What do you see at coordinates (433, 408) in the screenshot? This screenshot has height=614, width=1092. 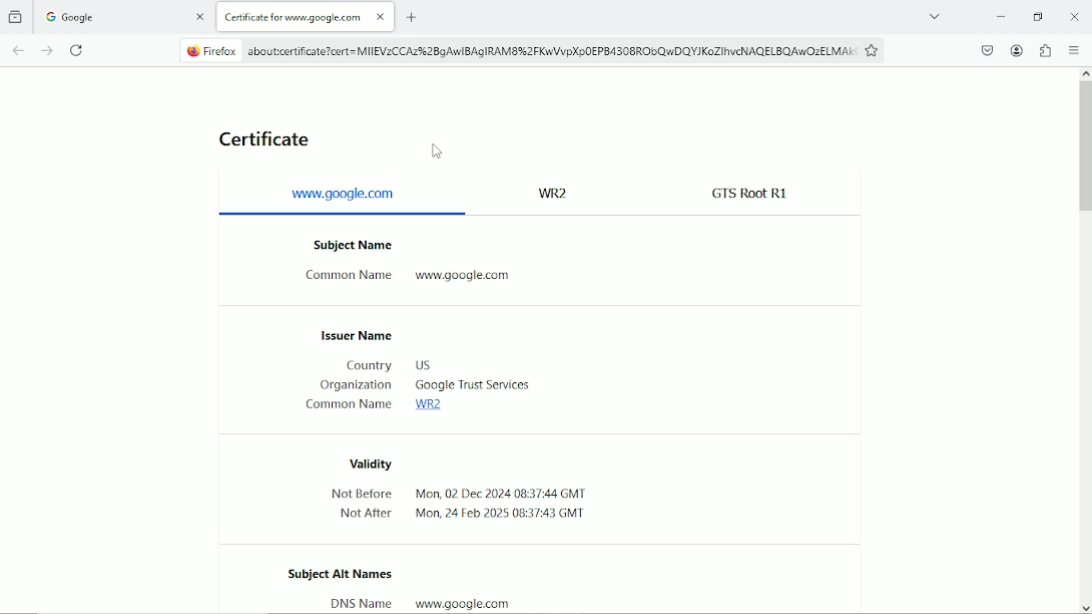 I see `WR2` at bounding box center [433, 408].